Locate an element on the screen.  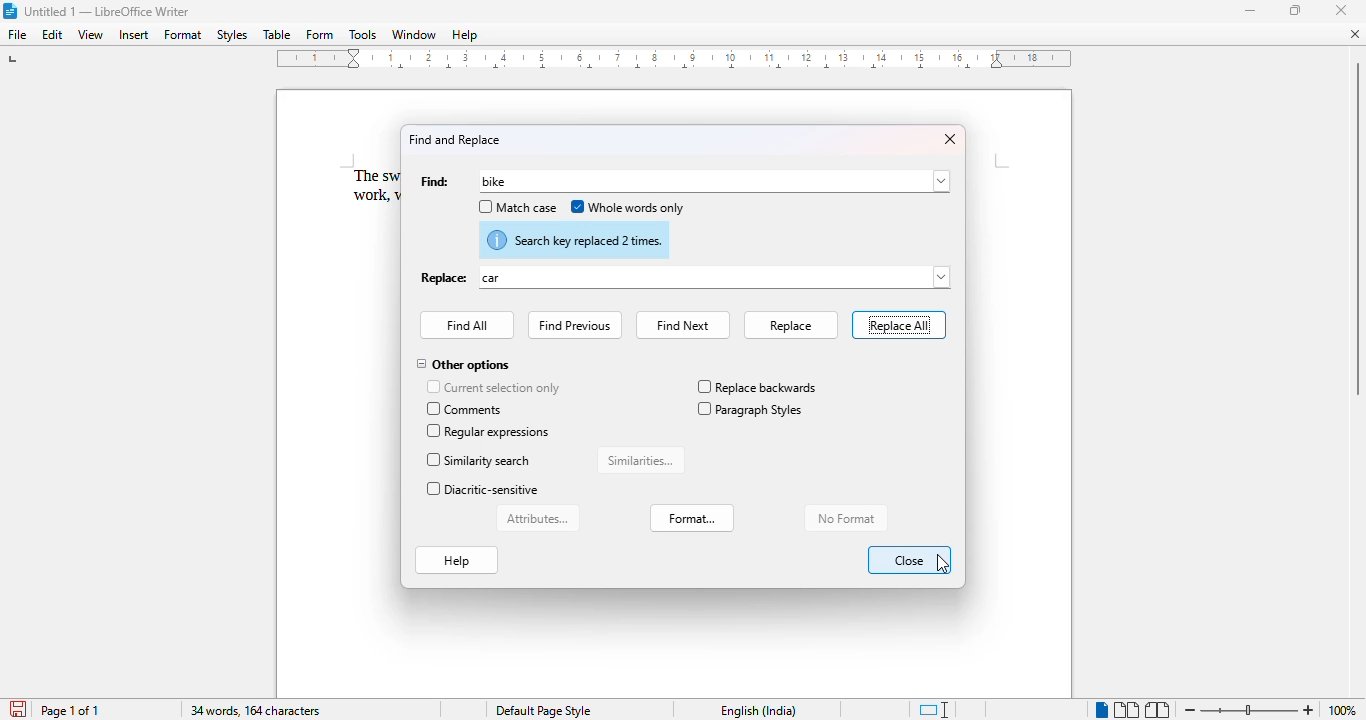
regular expressions is located at coordinates (490, 431).